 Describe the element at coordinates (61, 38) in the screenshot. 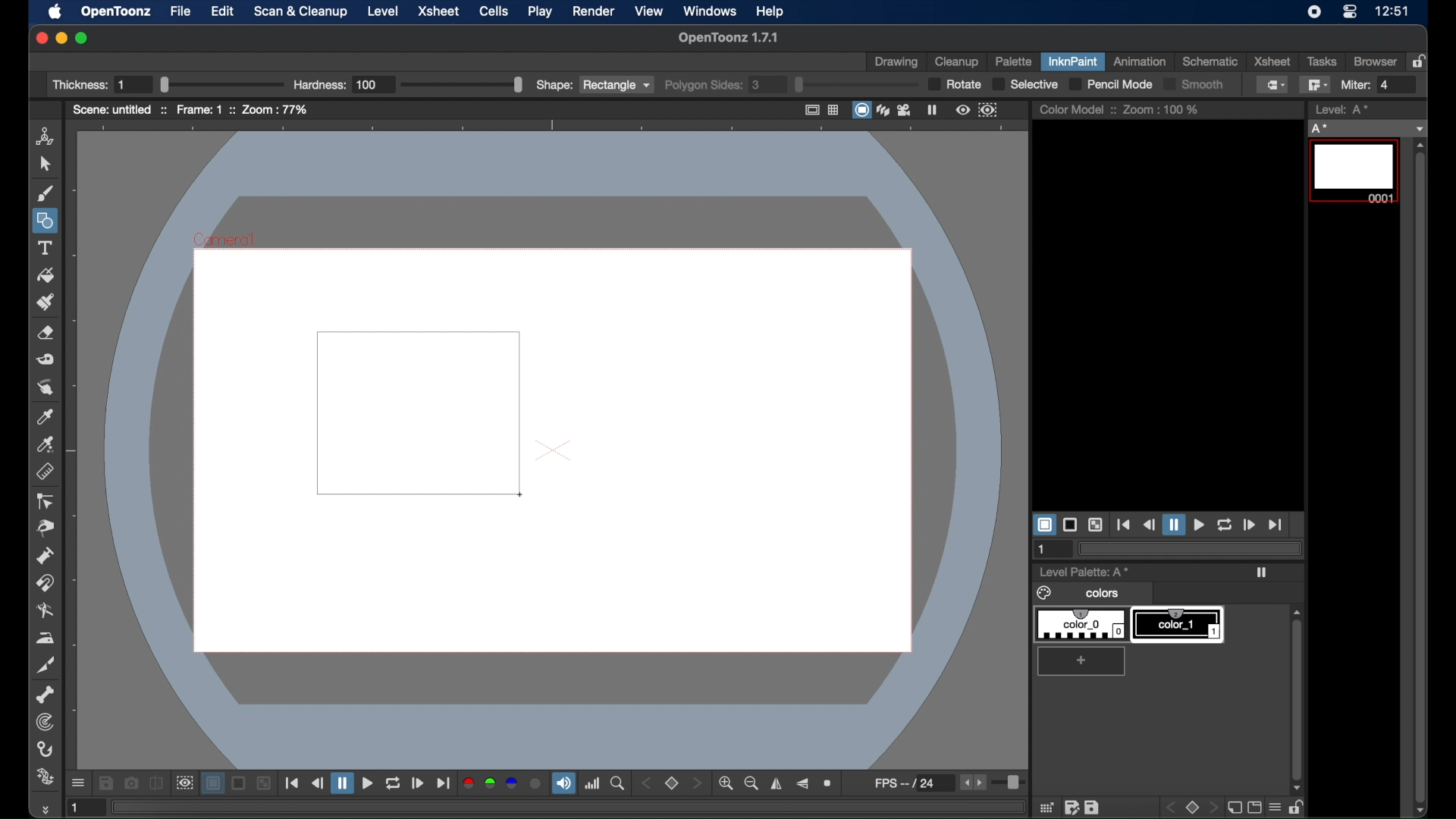

I see `minimize` at that location.